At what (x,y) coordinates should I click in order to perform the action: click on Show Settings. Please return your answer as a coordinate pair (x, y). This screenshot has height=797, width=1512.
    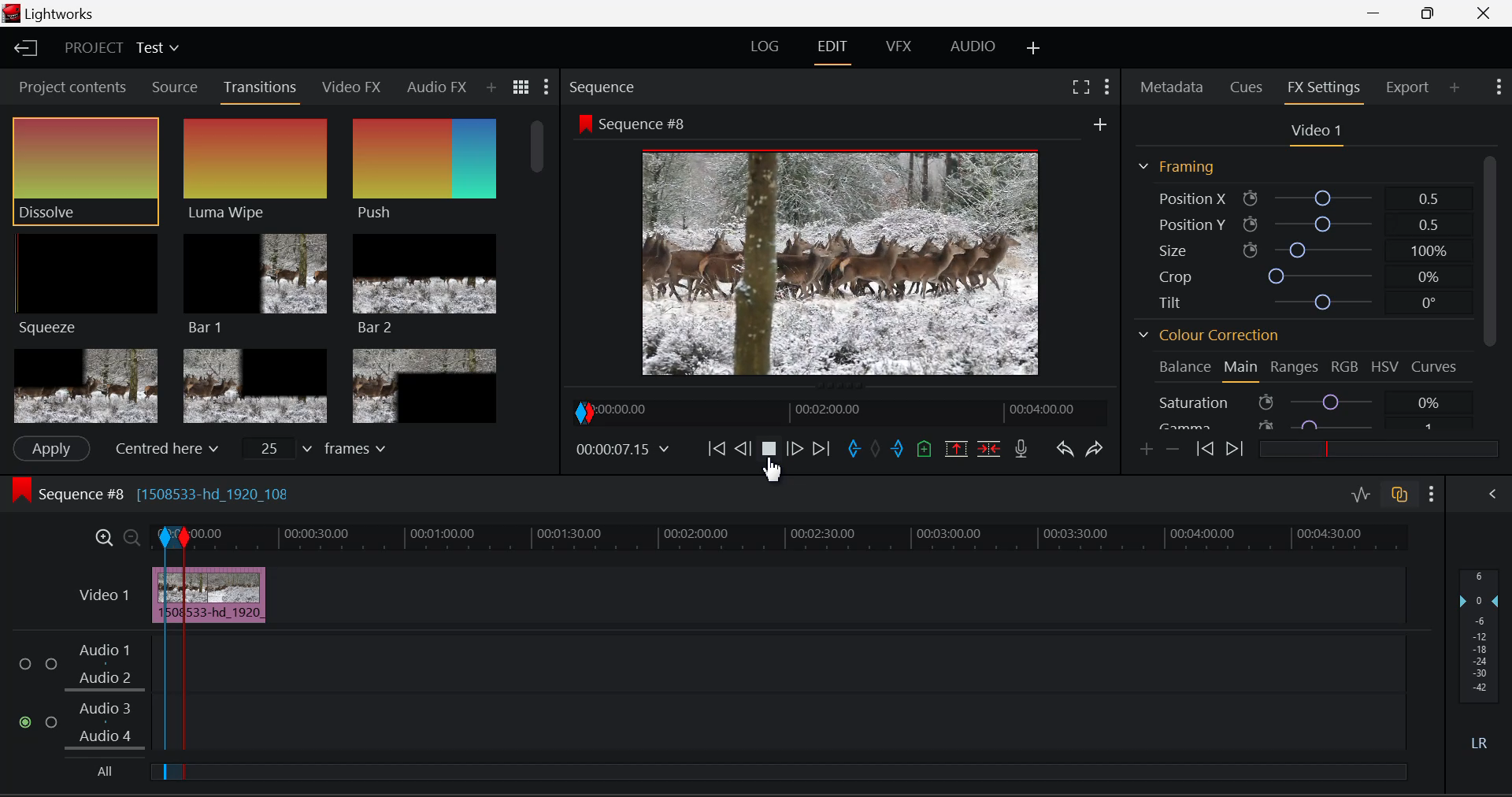
    Looking at the image, I should click on (1432, 494).